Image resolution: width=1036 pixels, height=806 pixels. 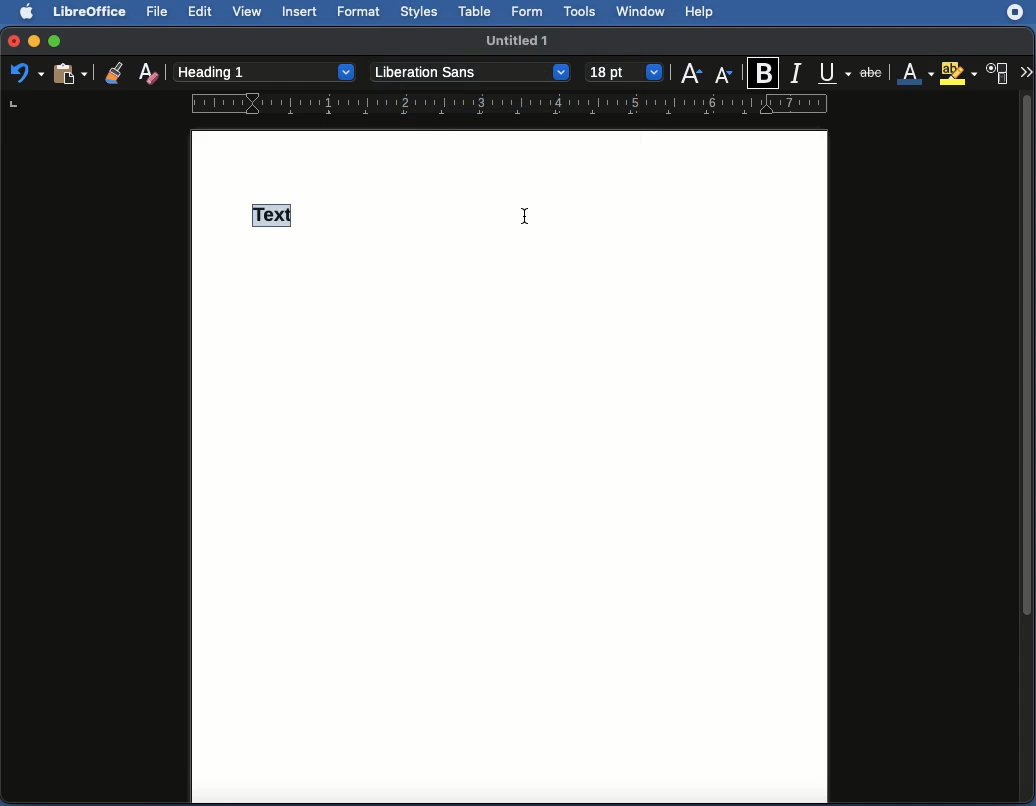 I want to click on Clipboard, so click(x=68, y=75).